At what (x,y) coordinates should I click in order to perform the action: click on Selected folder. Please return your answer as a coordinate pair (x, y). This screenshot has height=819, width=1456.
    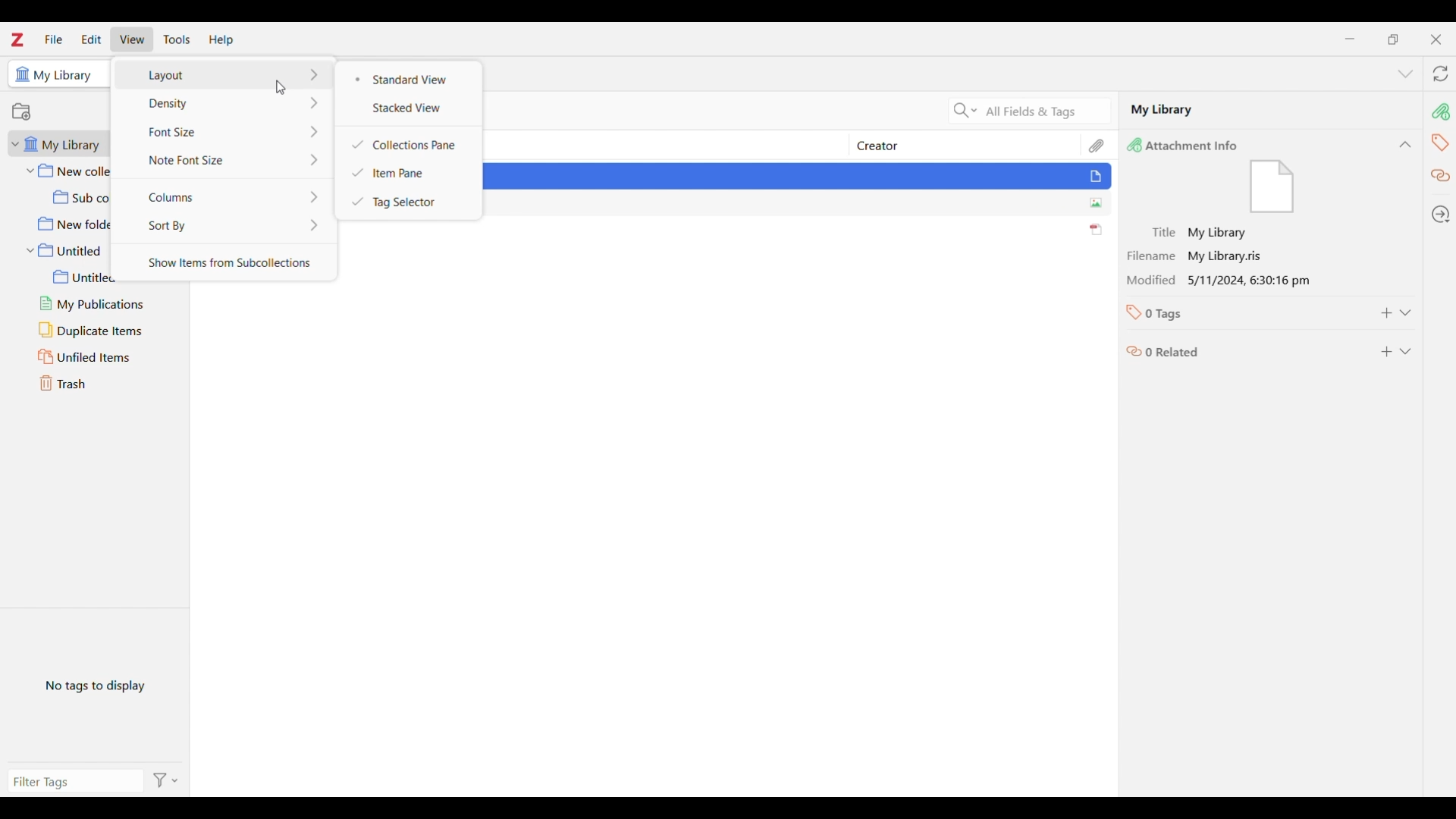
    Looking at the image, I should click on (55, 74).